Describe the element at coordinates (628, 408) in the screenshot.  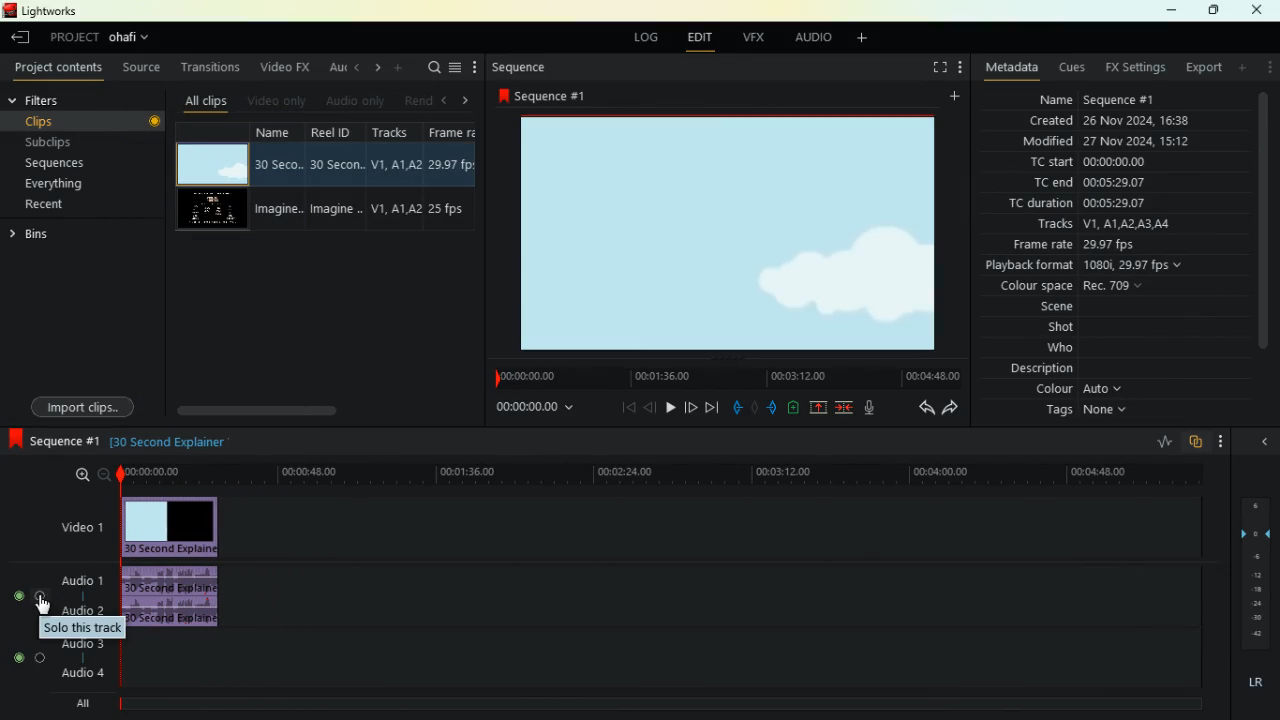
I see `beggining` at that location.